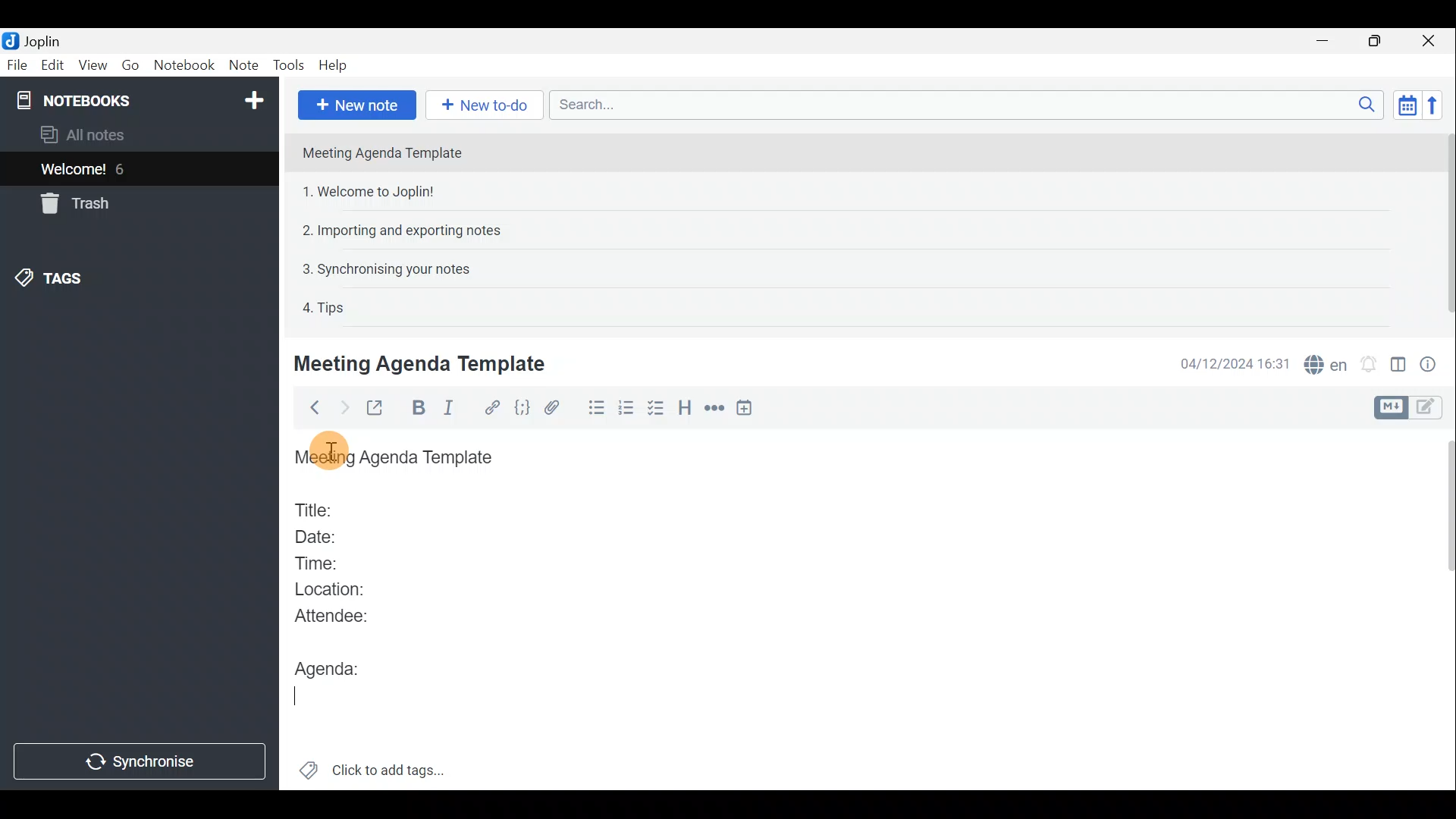  What do you see at coordinates (398, 458) in the screenshot?
I see `Meeting Agenda Template` at bounding box center [398, 458].